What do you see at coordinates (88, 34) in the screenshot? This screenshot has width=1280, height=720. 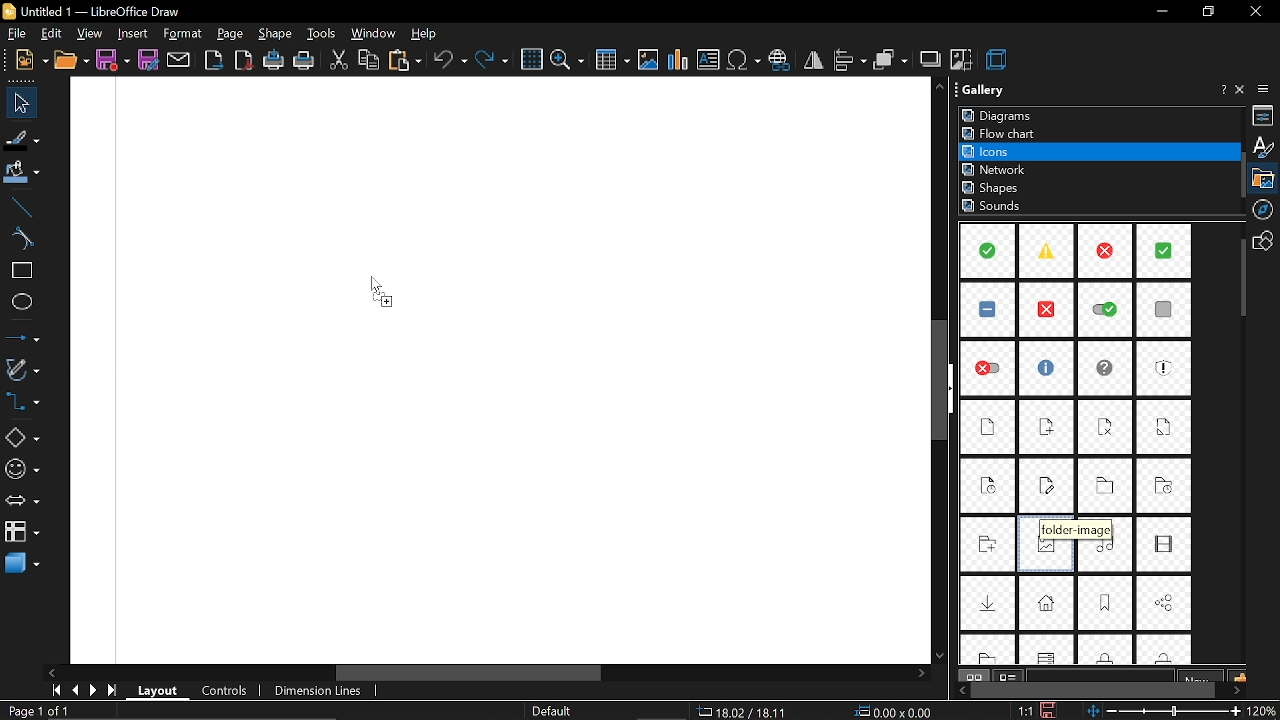 I see `view` at bounding box center [88, 34].